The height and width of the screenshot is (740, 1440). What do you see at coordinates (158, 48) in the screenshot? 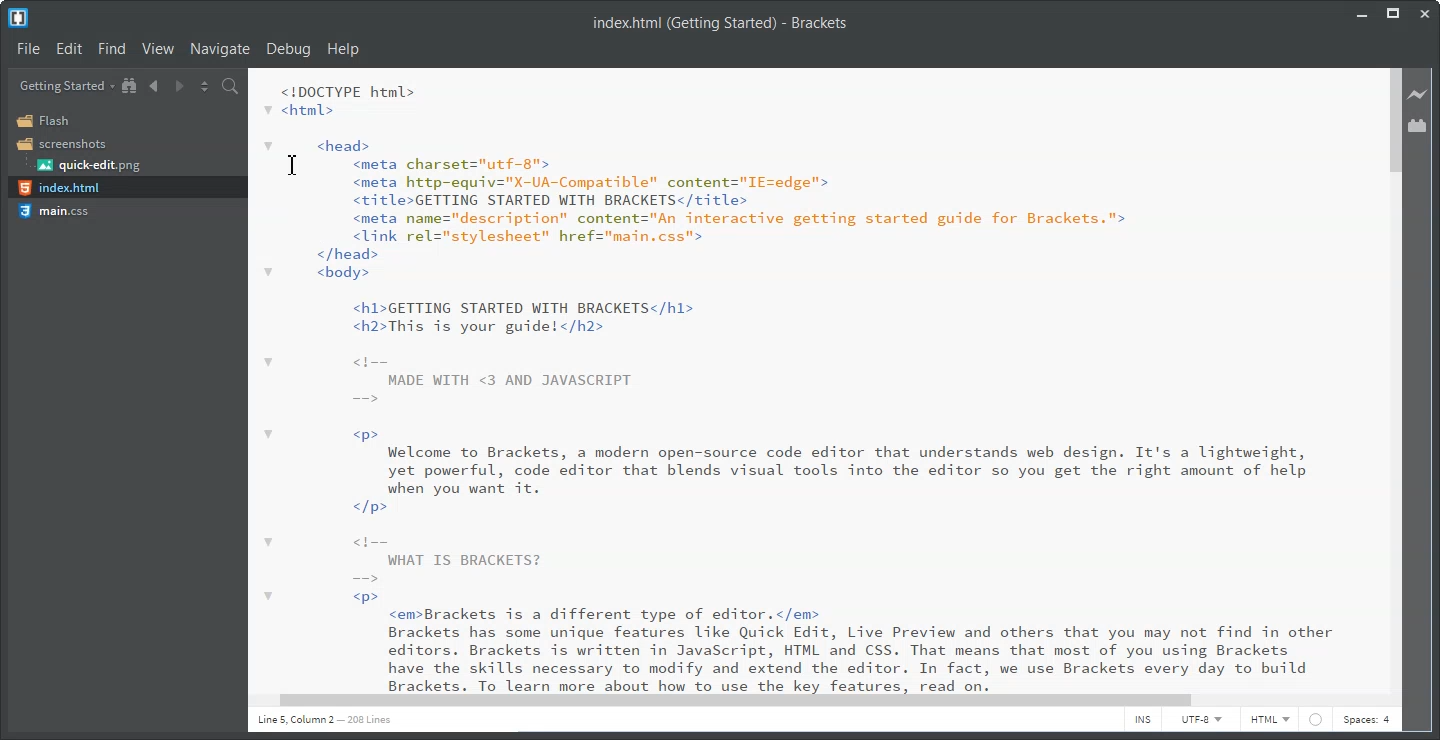
I see `View` at bounding box center [158, 48].